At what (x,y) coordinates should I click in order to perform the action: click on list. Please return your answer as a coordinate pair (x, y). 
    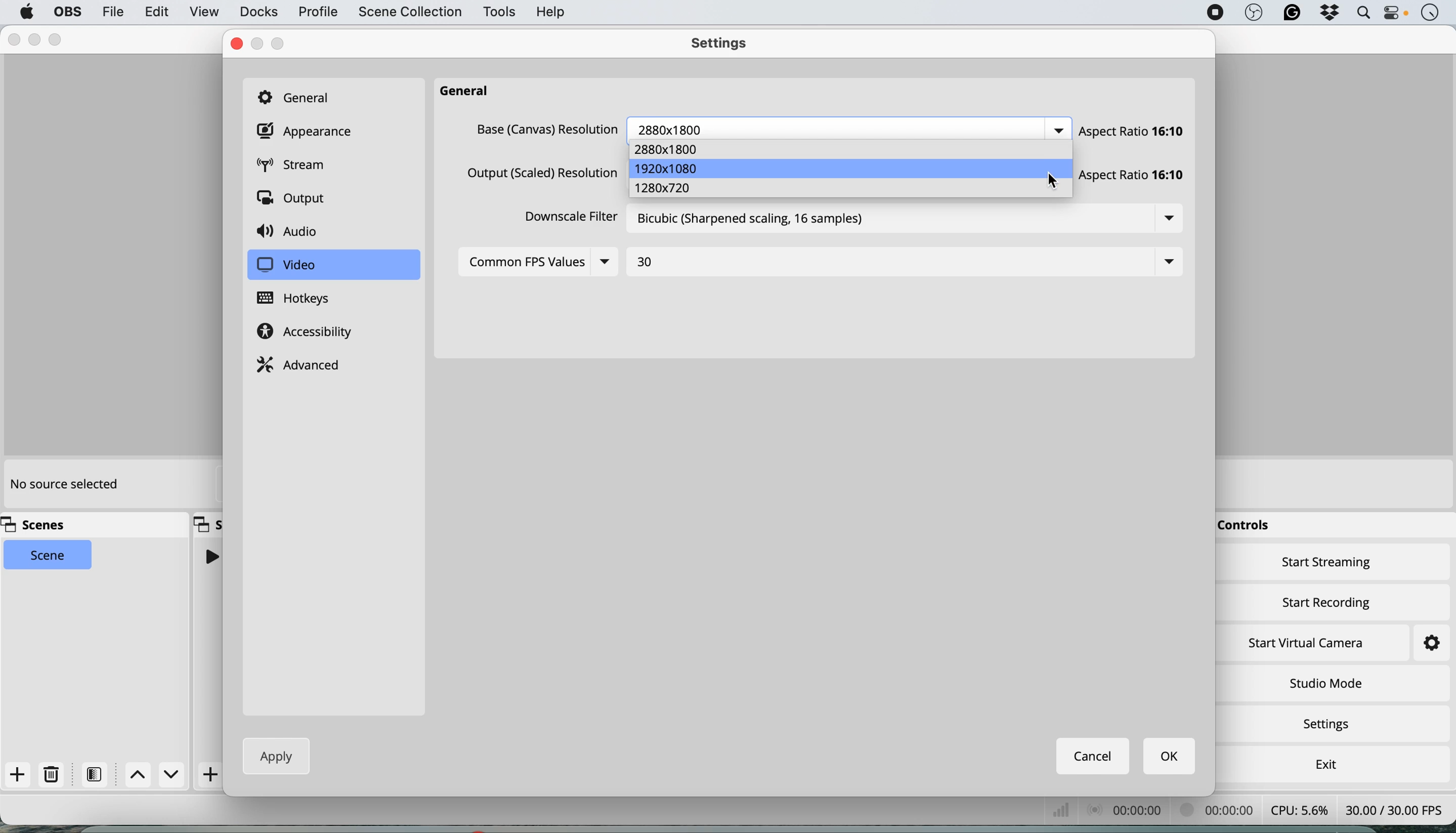
    Looking at the image, I should click on (1167, 259).